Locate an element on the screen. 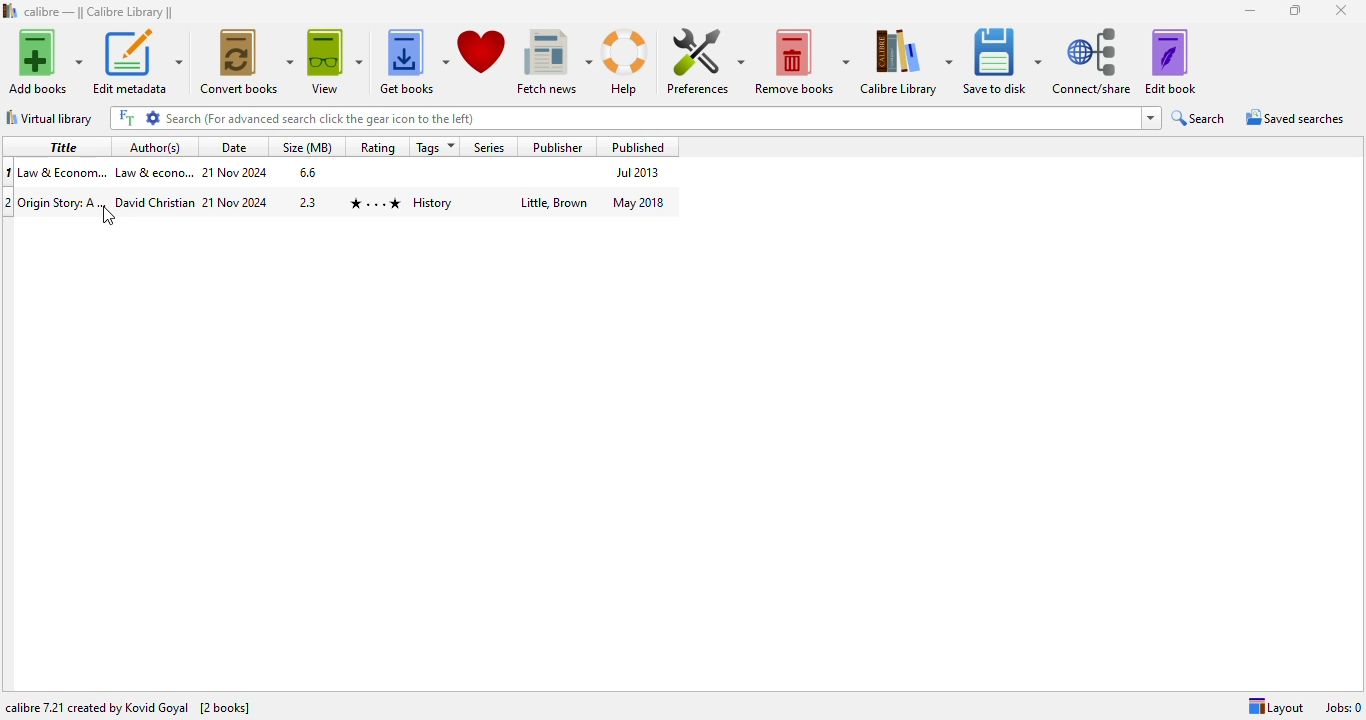 The height and width of the screenshot is (720, 1366). david christian is located at coordinates (155, 201).